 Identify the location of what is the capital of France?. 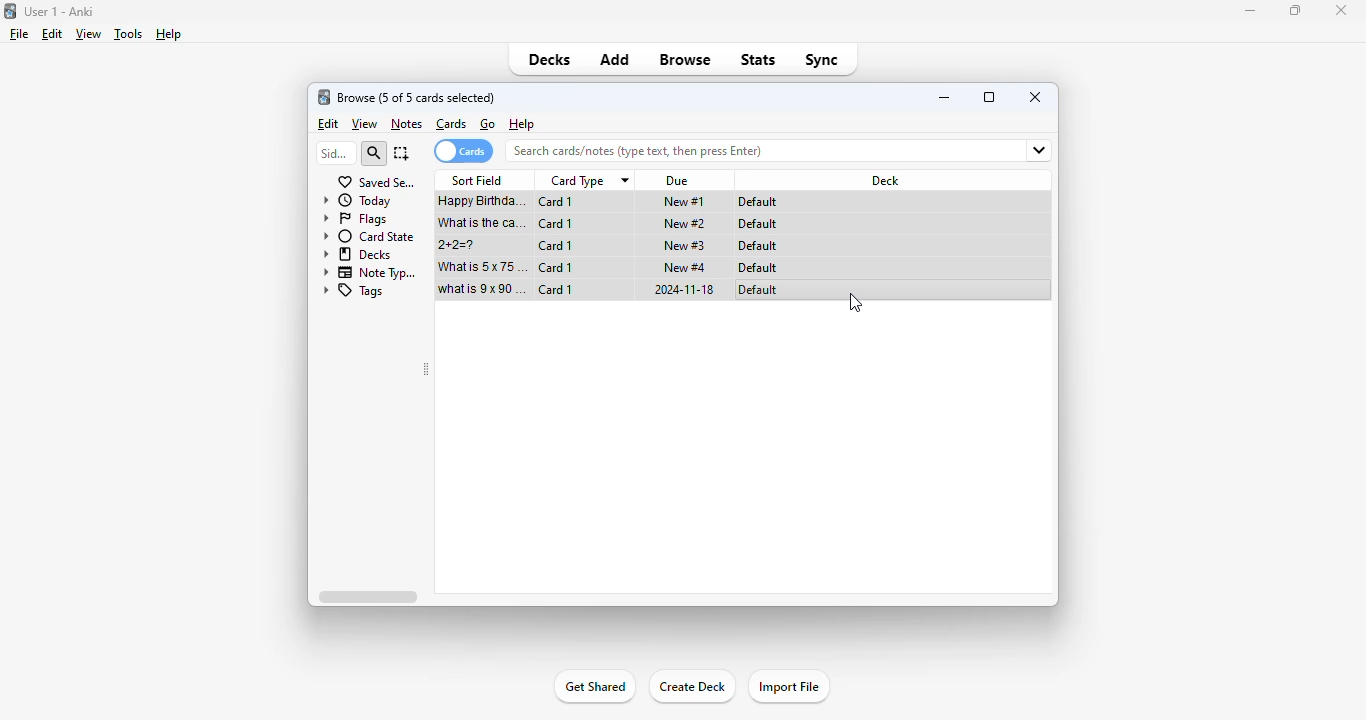
(481, 223).